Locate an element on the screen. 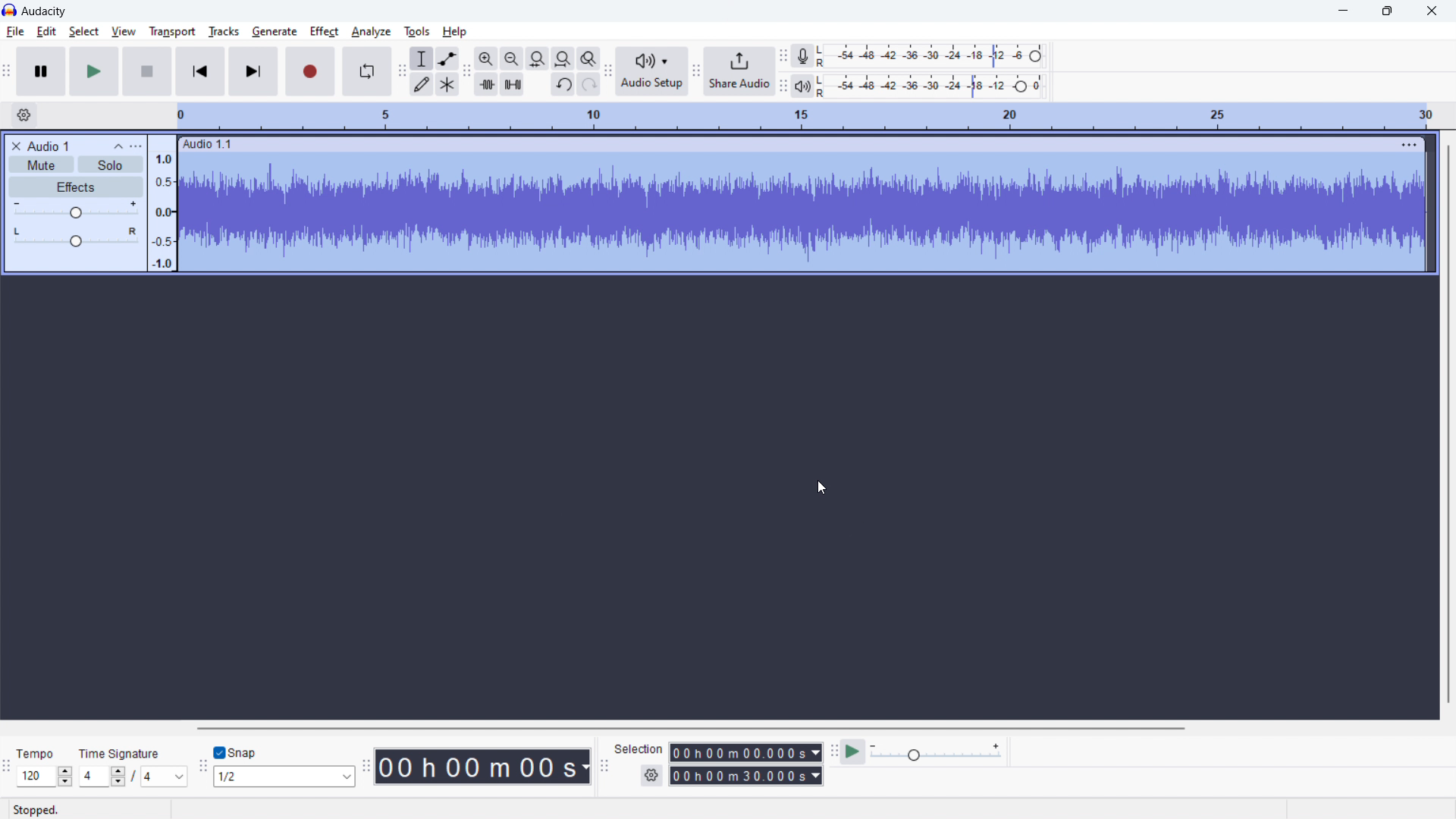 The height and width of the screenshot is (819, 1456). vertical scrollbar is located at coordinates (1449, 422).